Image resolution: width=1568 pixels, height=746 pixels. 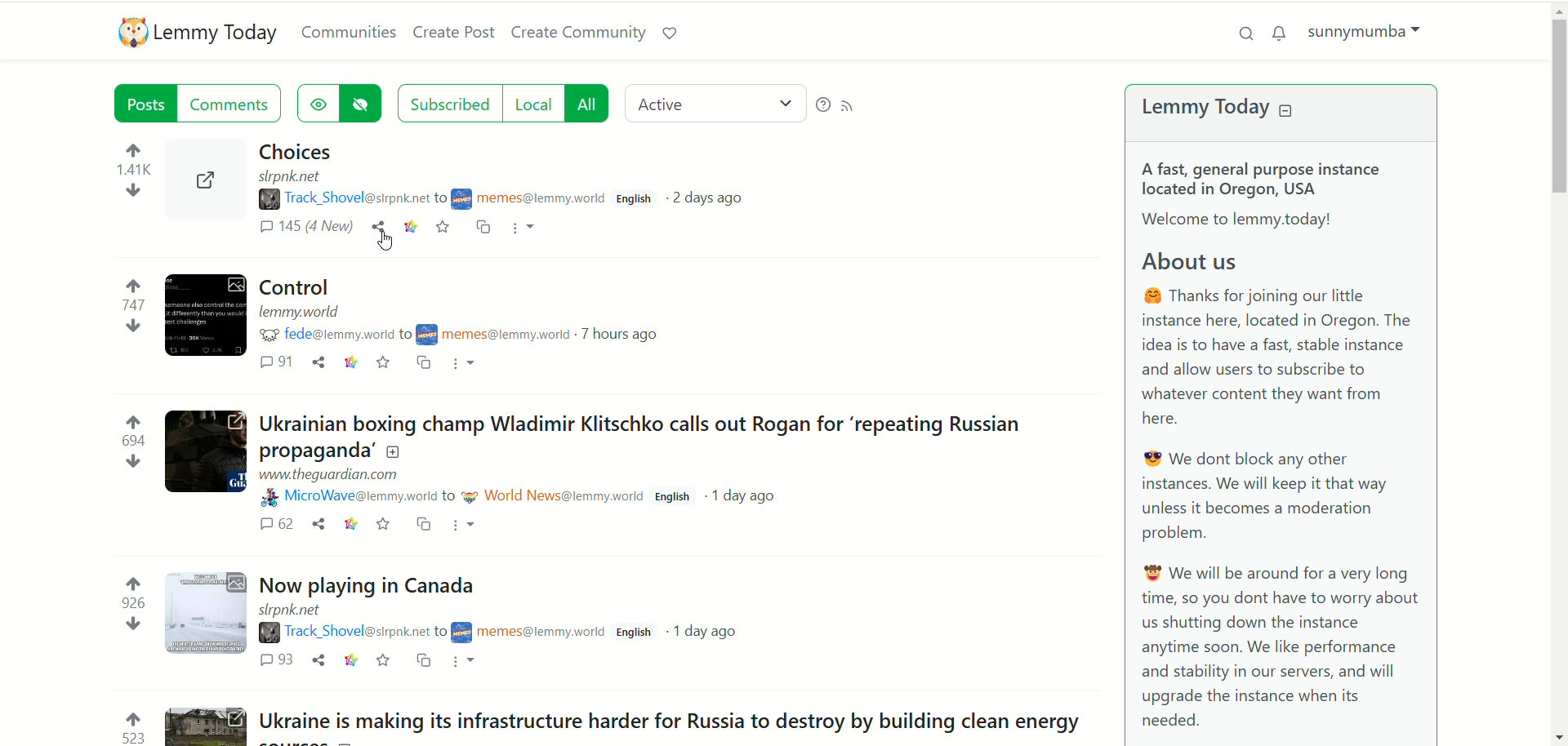 What do you see at coordinates (127, 726) in the screenshot?
I see `votes up and down` at bounding box center [127, 726].